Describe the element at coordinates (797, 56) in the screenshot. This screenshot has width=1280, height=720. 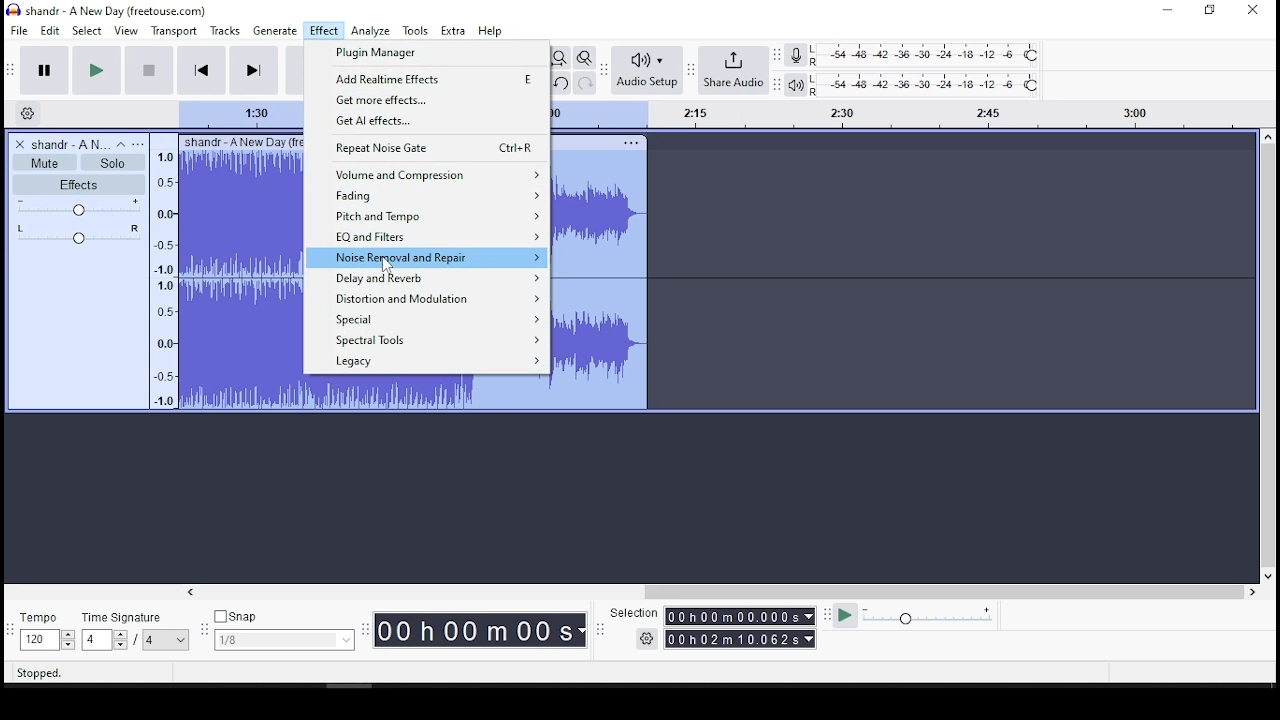
I see `record meter` at that location.